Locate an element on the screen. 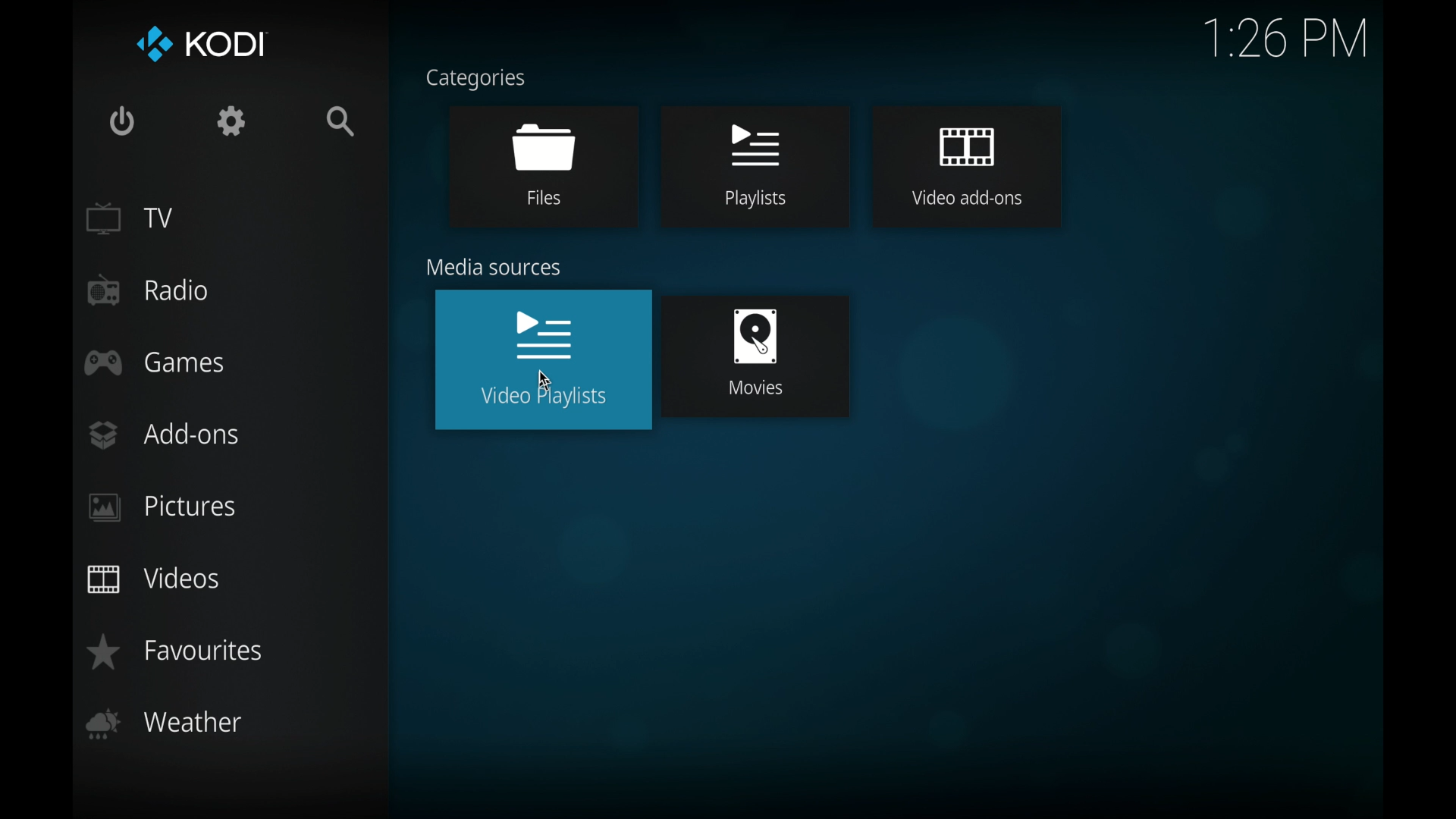 This screenshot has width=1456, height=819. games is located at coordinates (158, 362).